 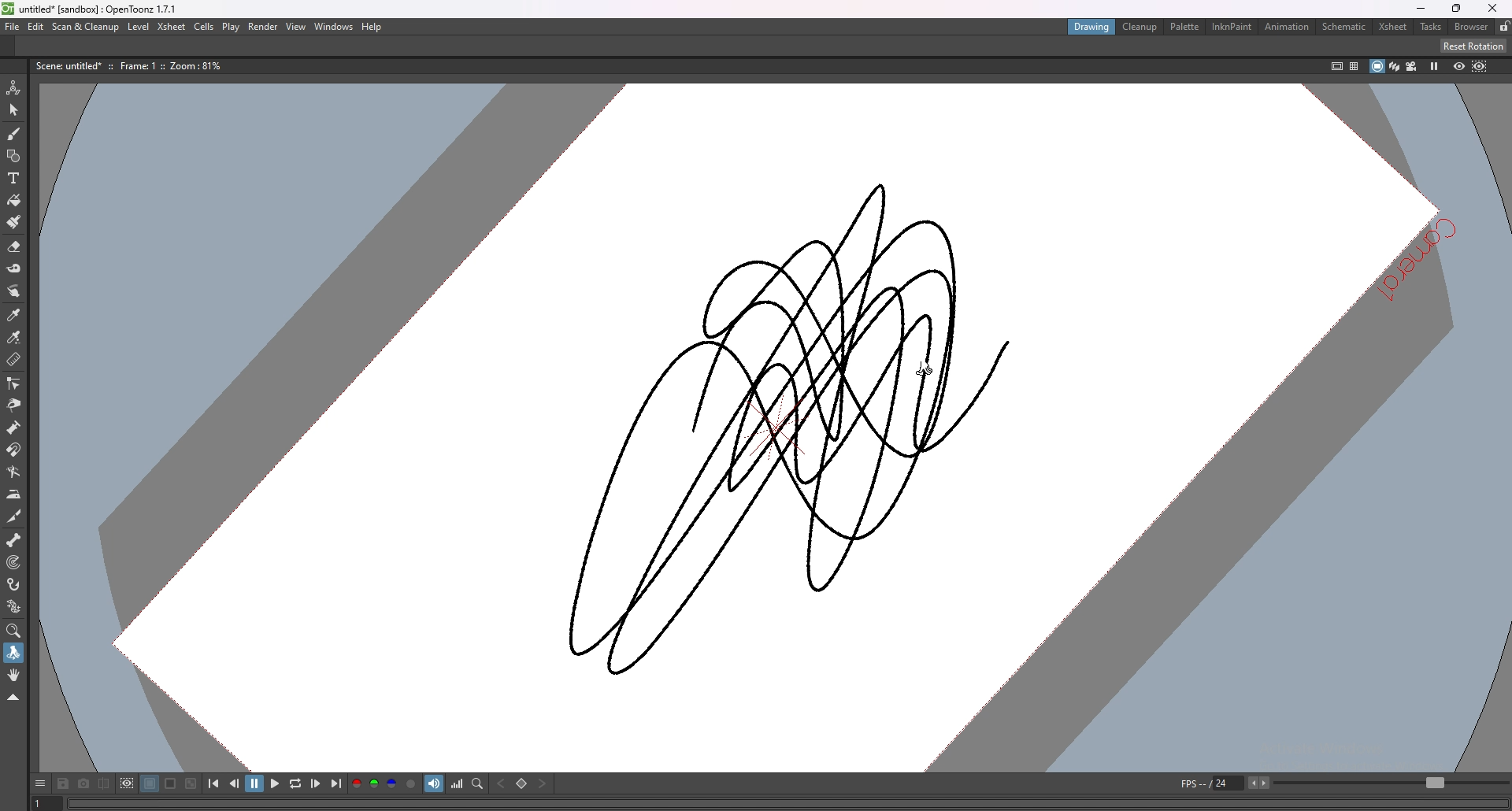 I want to click on camera view, so click(x=1412, y=67).